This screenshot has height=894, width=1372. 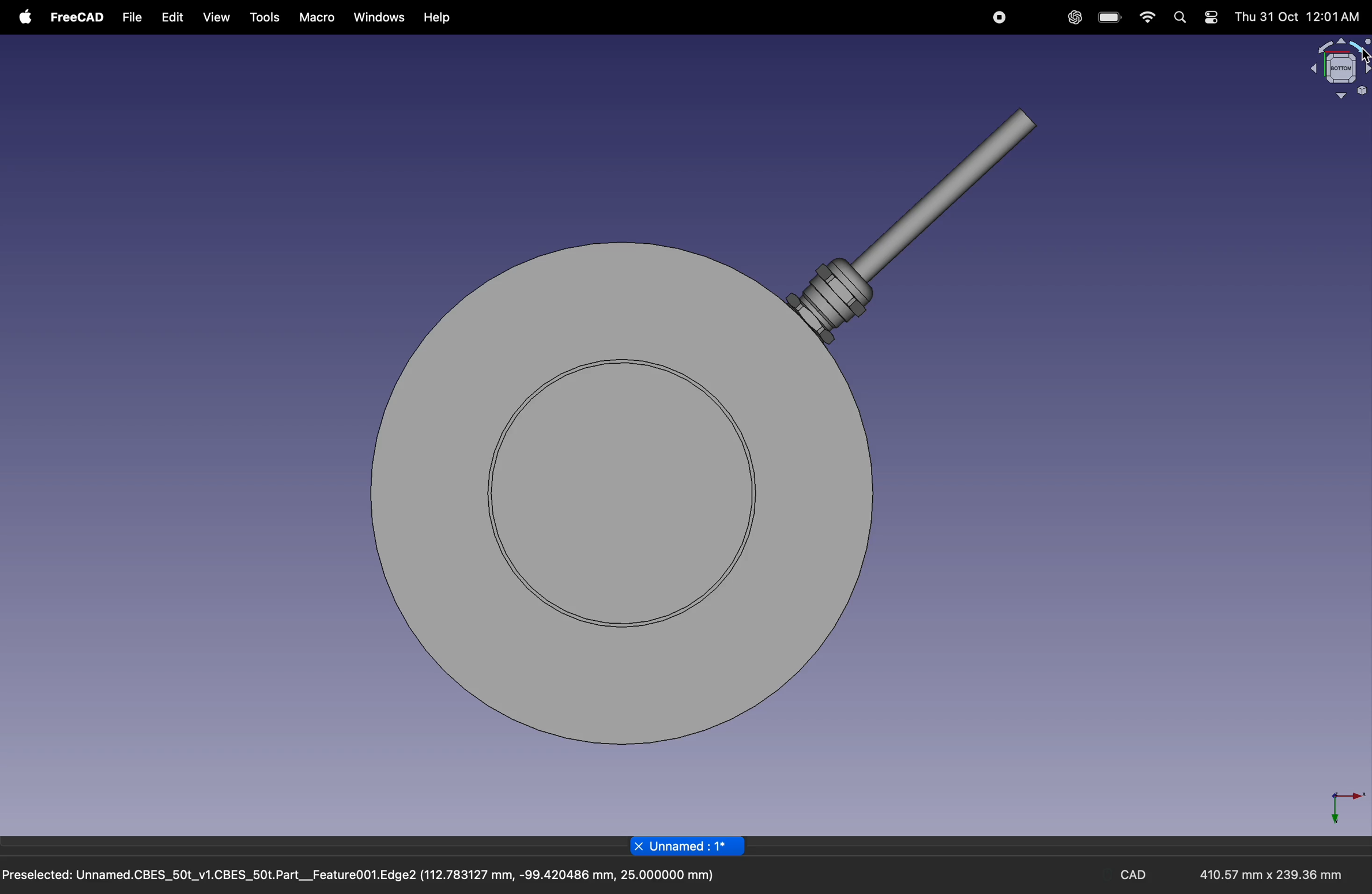 What do you see at coordinates (27, 18) in the screenshot?
I see `apple menu` at bounding box center [27, 18].